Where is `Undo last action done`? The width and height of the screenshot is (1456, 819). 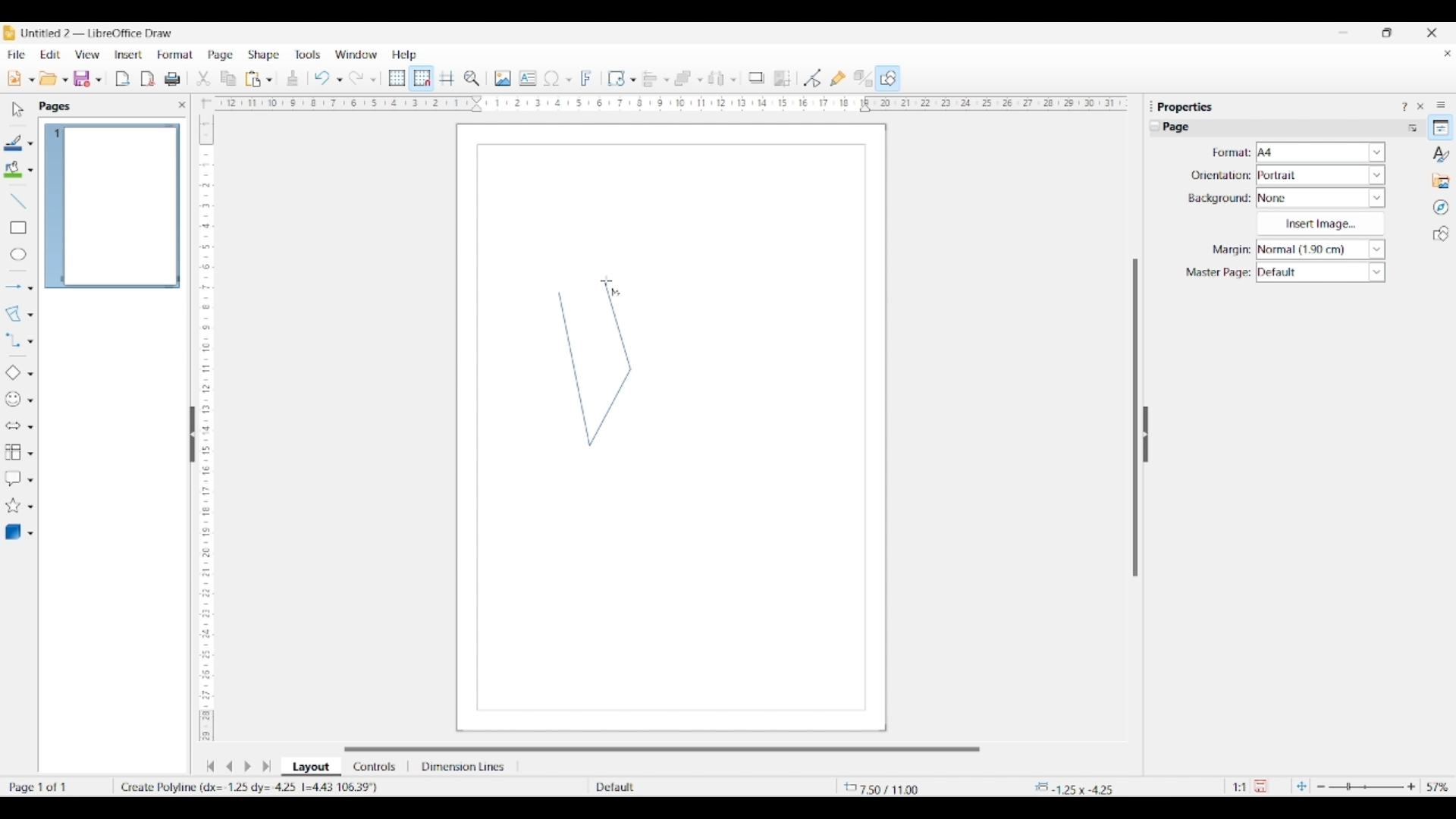 Undo last action done is located at coordinates (322, 77).